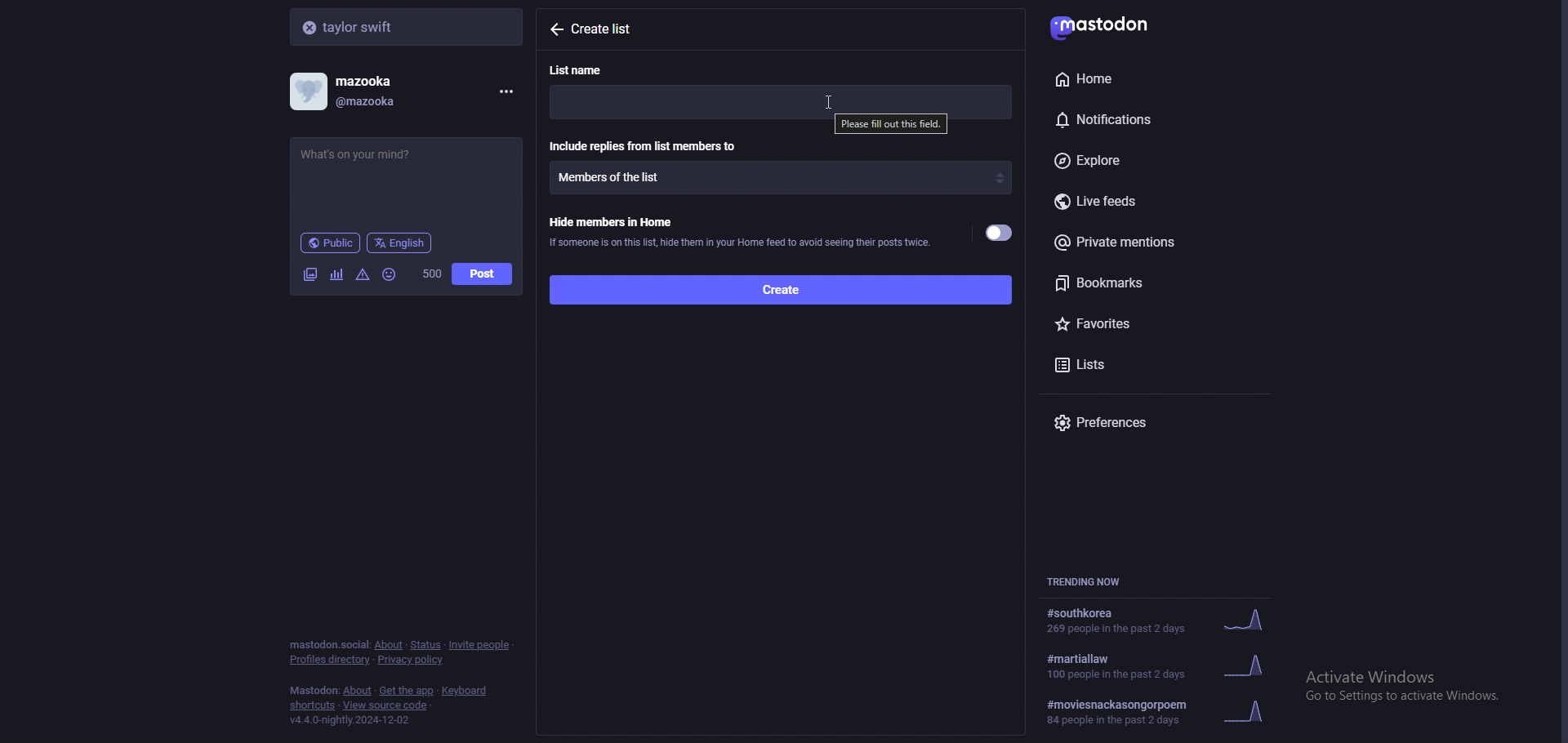  I want to click on input list name, so click(780, 98).